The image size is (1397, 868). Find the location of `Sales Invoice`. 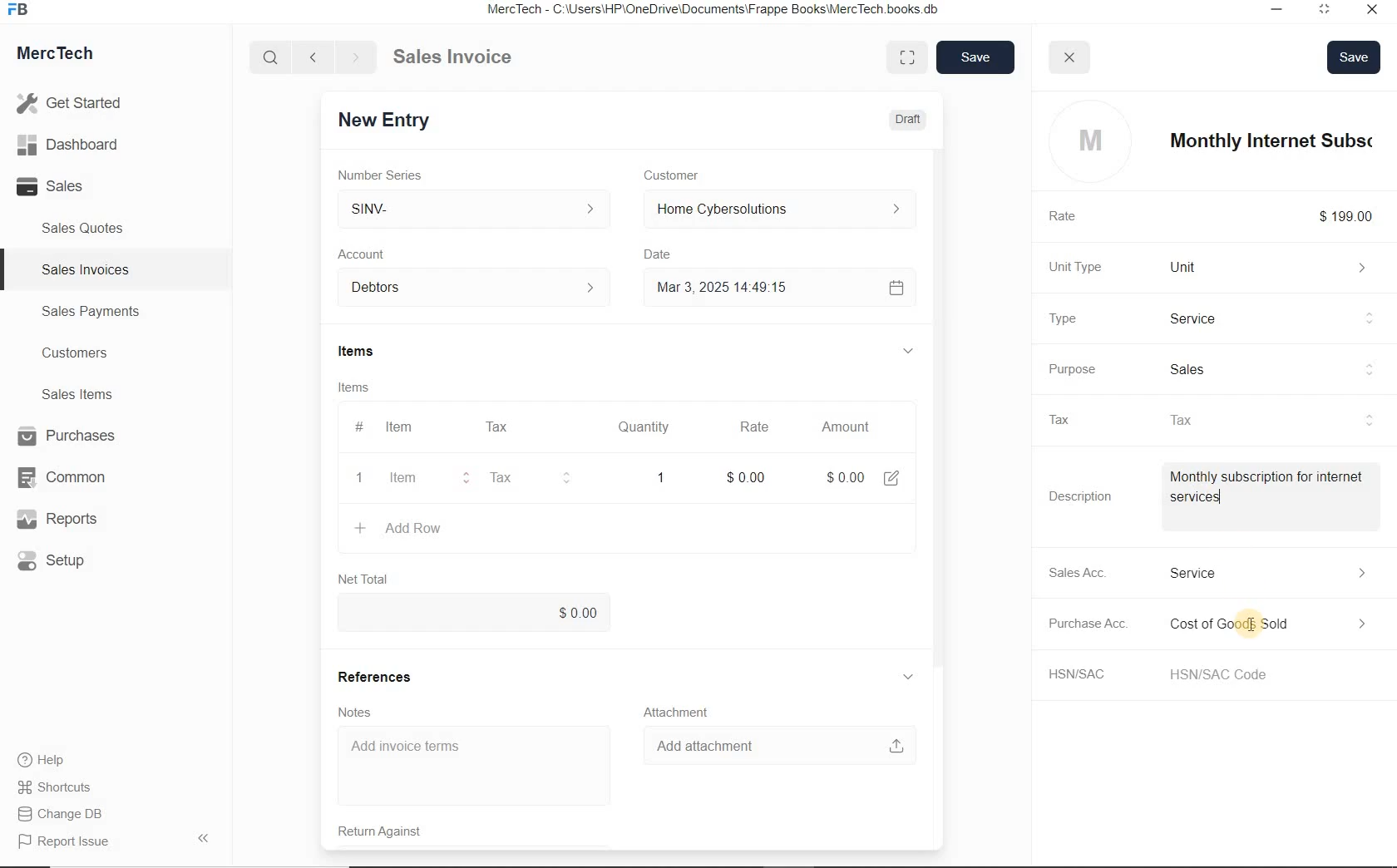

Sales Invoice is located at coordinates (454, 58).